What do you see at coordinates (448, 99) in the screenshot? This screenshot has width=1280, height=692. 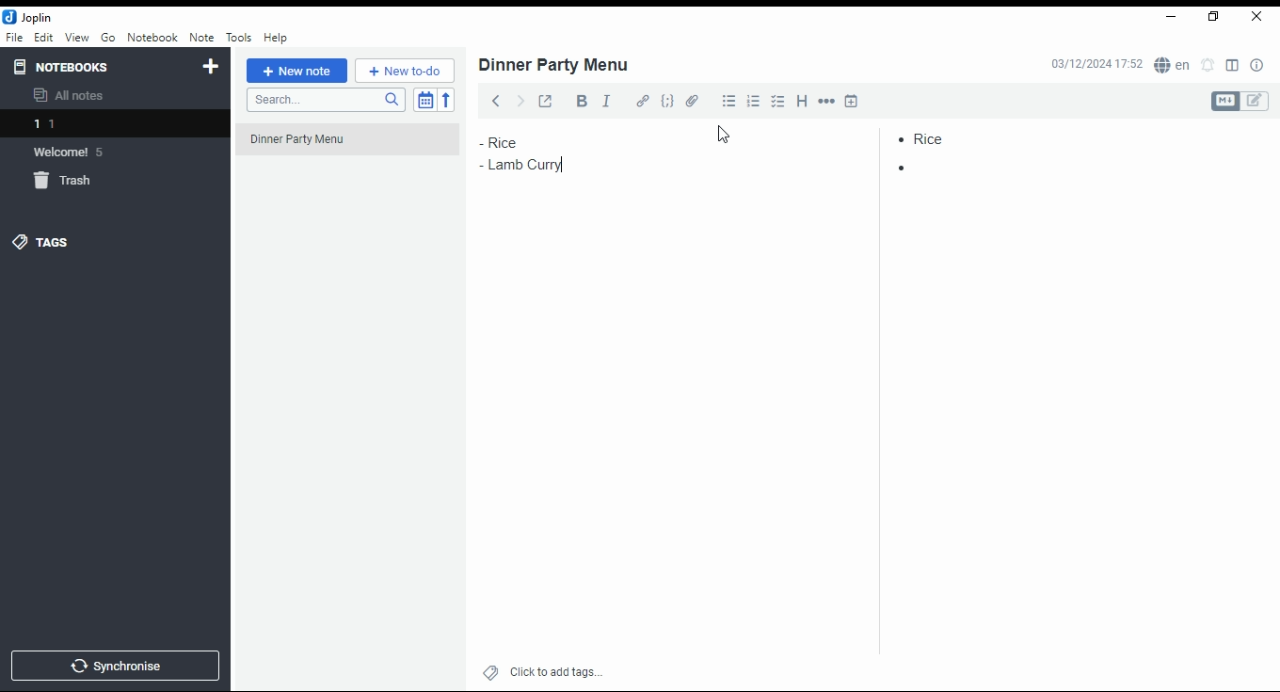 I see `reverse sort order` at bounding box center [448, 99].